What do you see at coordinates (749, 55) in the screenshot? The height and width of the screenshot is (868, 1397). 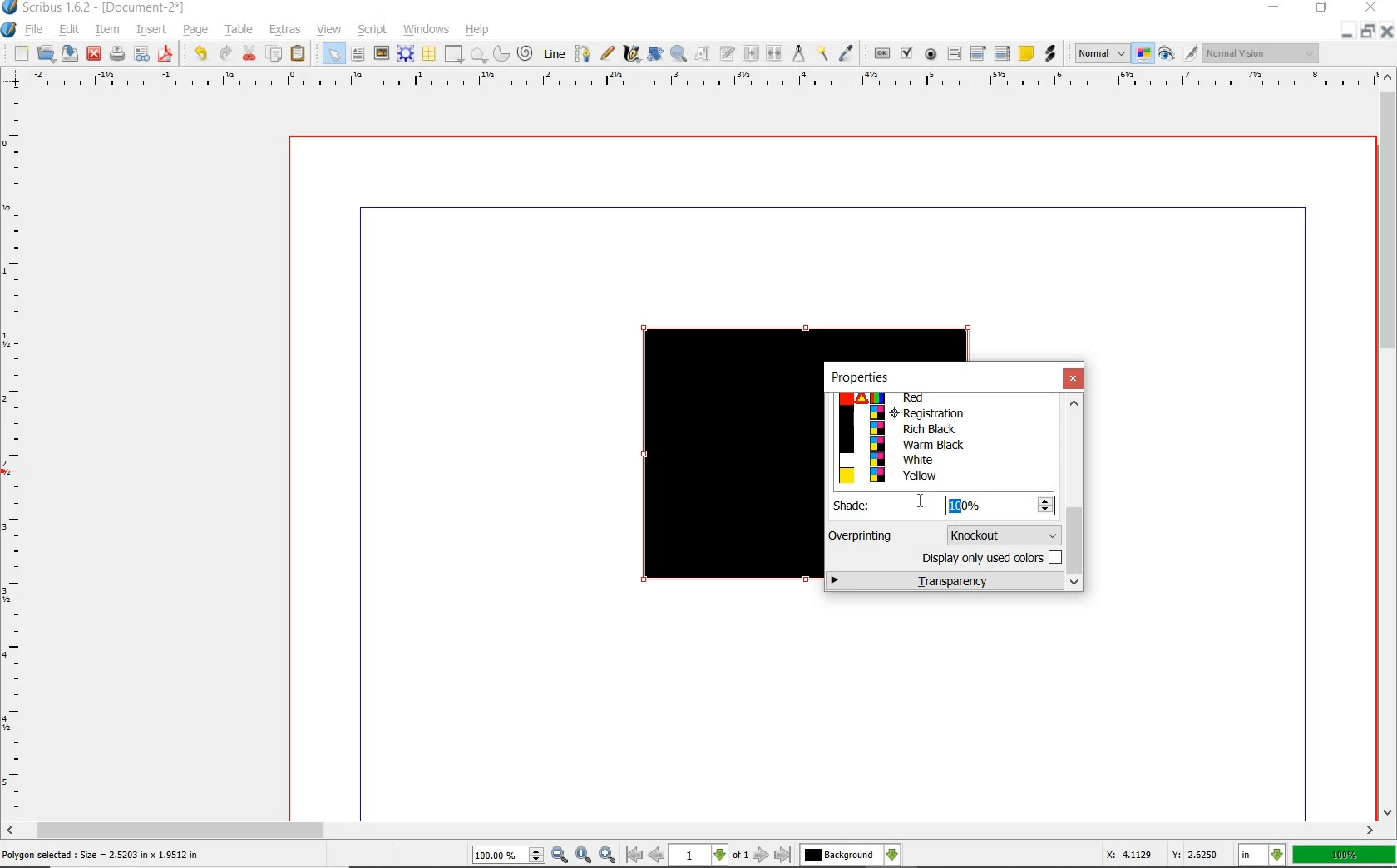 I see `link text frames` at bounding box center [749, 55].